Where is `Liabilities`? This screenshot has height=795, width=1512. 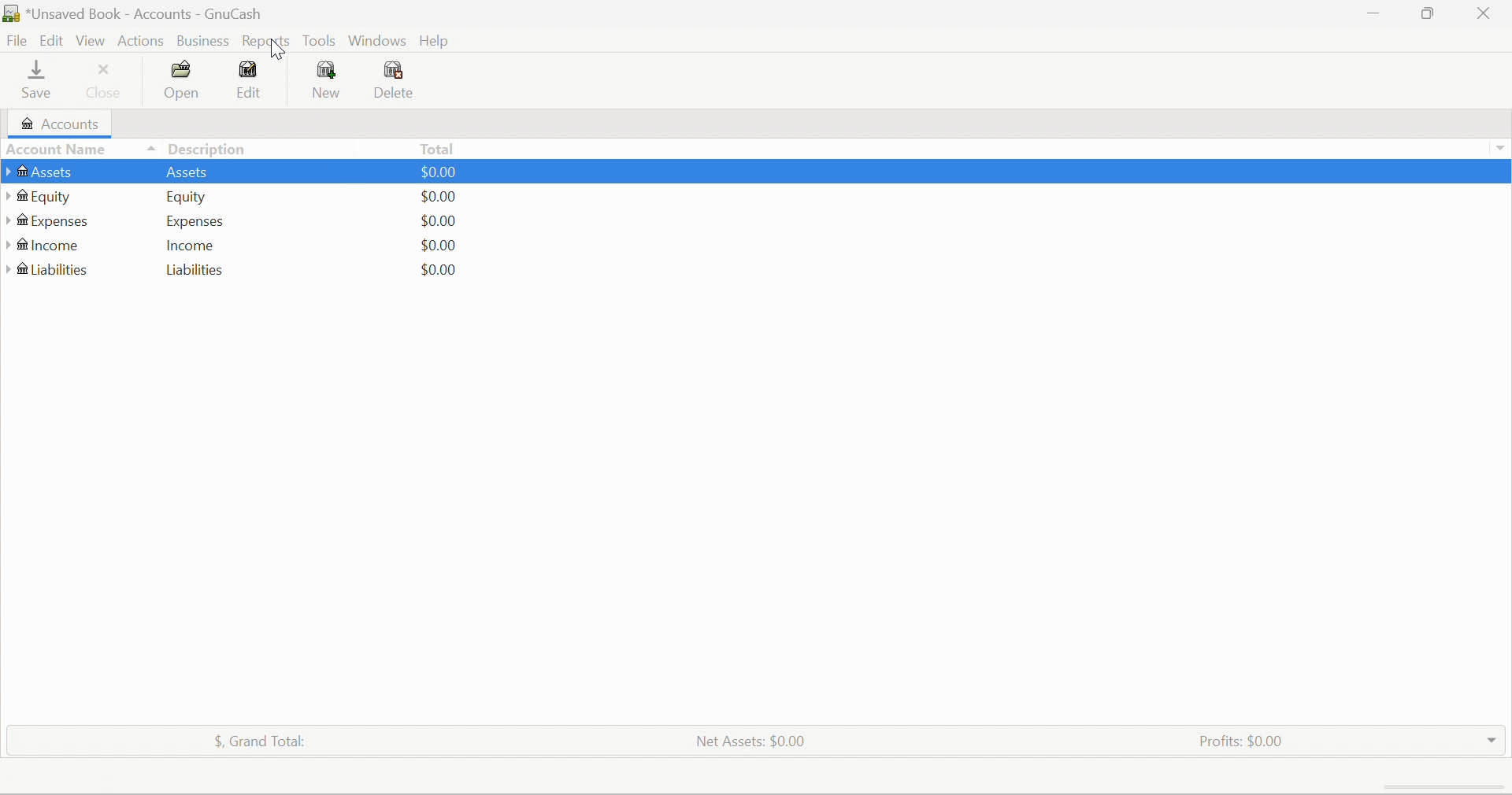
Liabilities is located at coordinates (50, 270).